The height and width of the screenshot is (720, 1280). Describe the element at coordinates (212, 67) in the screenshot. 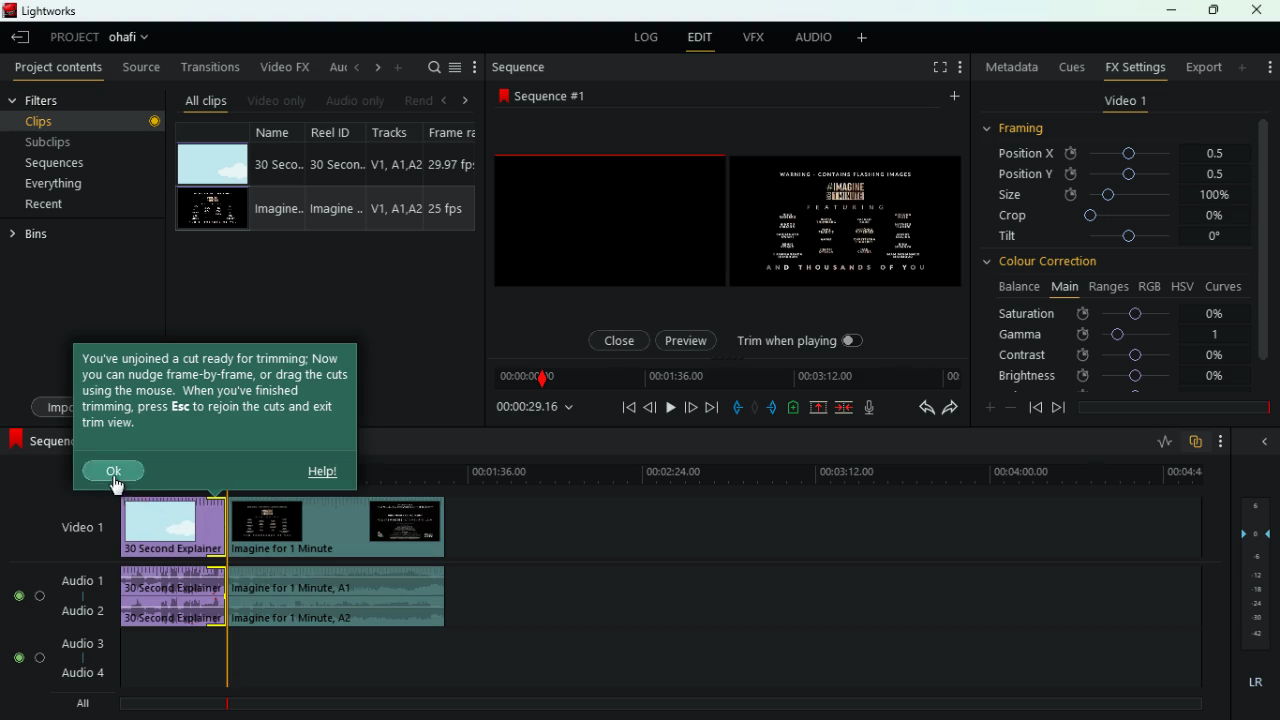

I see `transitions` at that location.